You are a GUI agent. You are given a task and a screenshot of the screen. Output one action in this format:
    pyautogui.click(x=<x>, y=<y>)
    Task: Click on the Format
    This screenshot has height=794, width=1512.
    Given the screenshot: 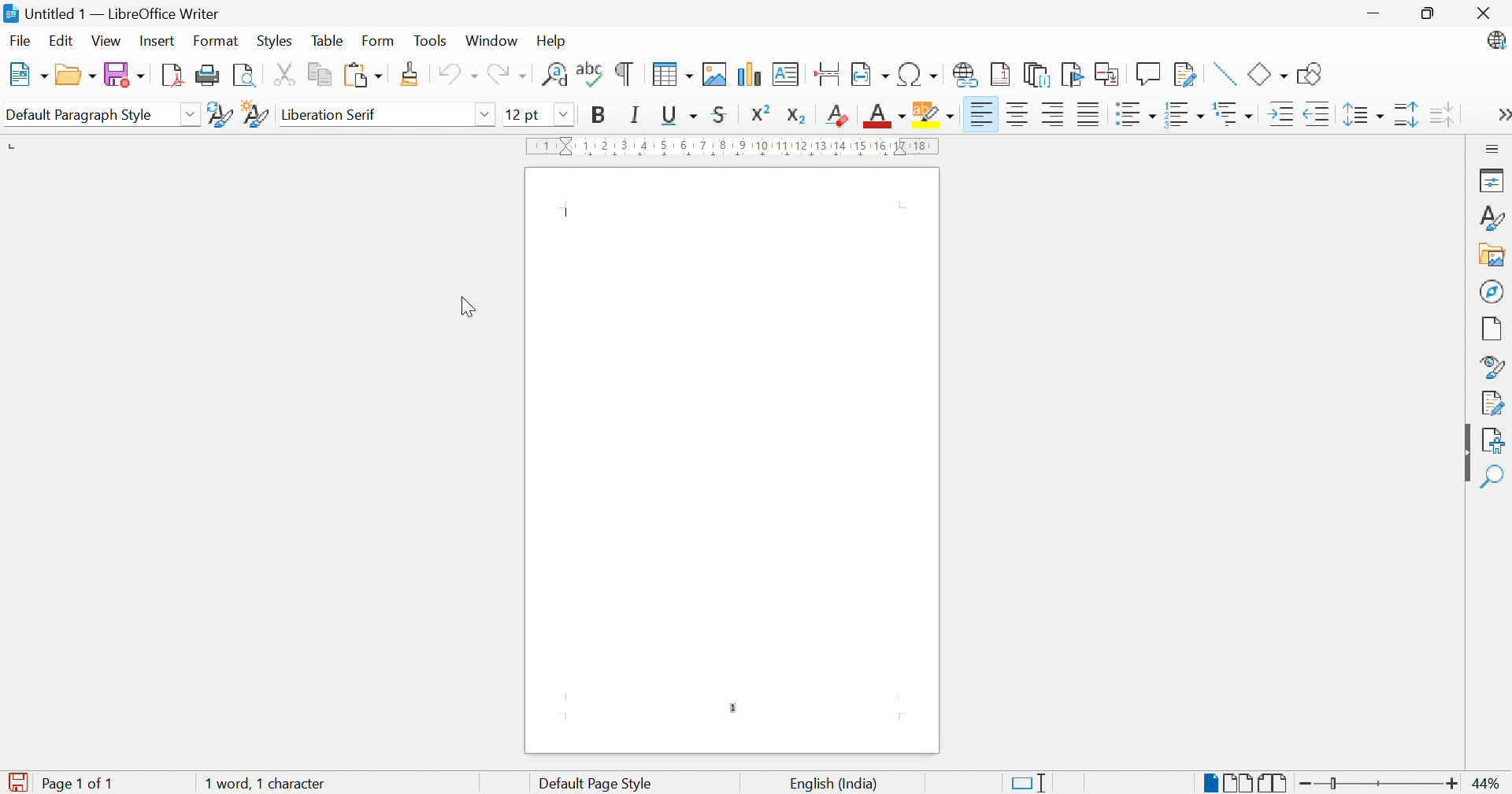 What is the action you would take?
    pyautogui.click(x=213, y=41)
    